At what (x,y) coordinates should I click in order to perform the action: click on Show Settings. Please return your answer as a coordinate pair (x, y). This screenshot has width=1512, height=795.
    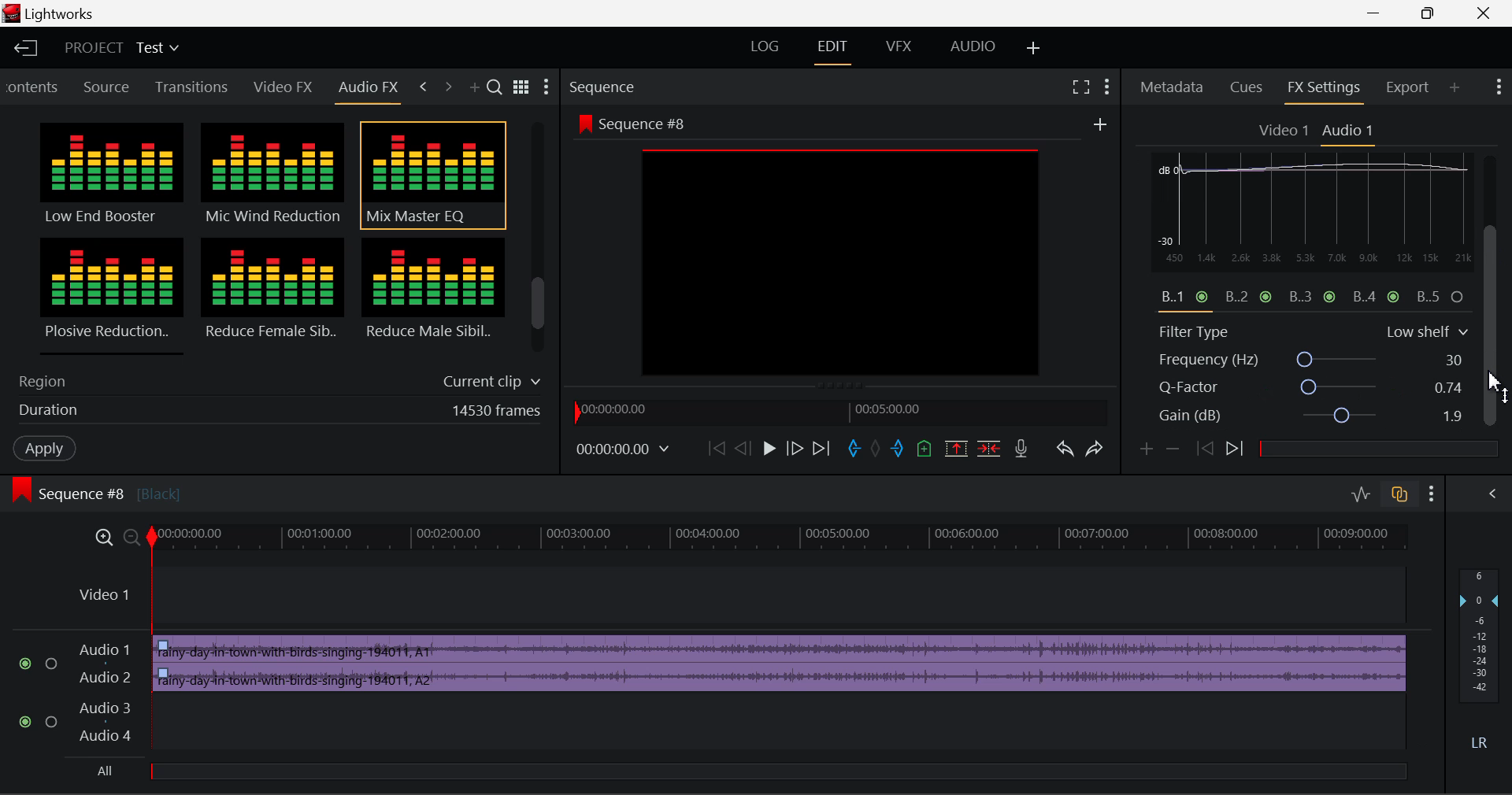
    Looking at the image, I should click on (1497, 84).